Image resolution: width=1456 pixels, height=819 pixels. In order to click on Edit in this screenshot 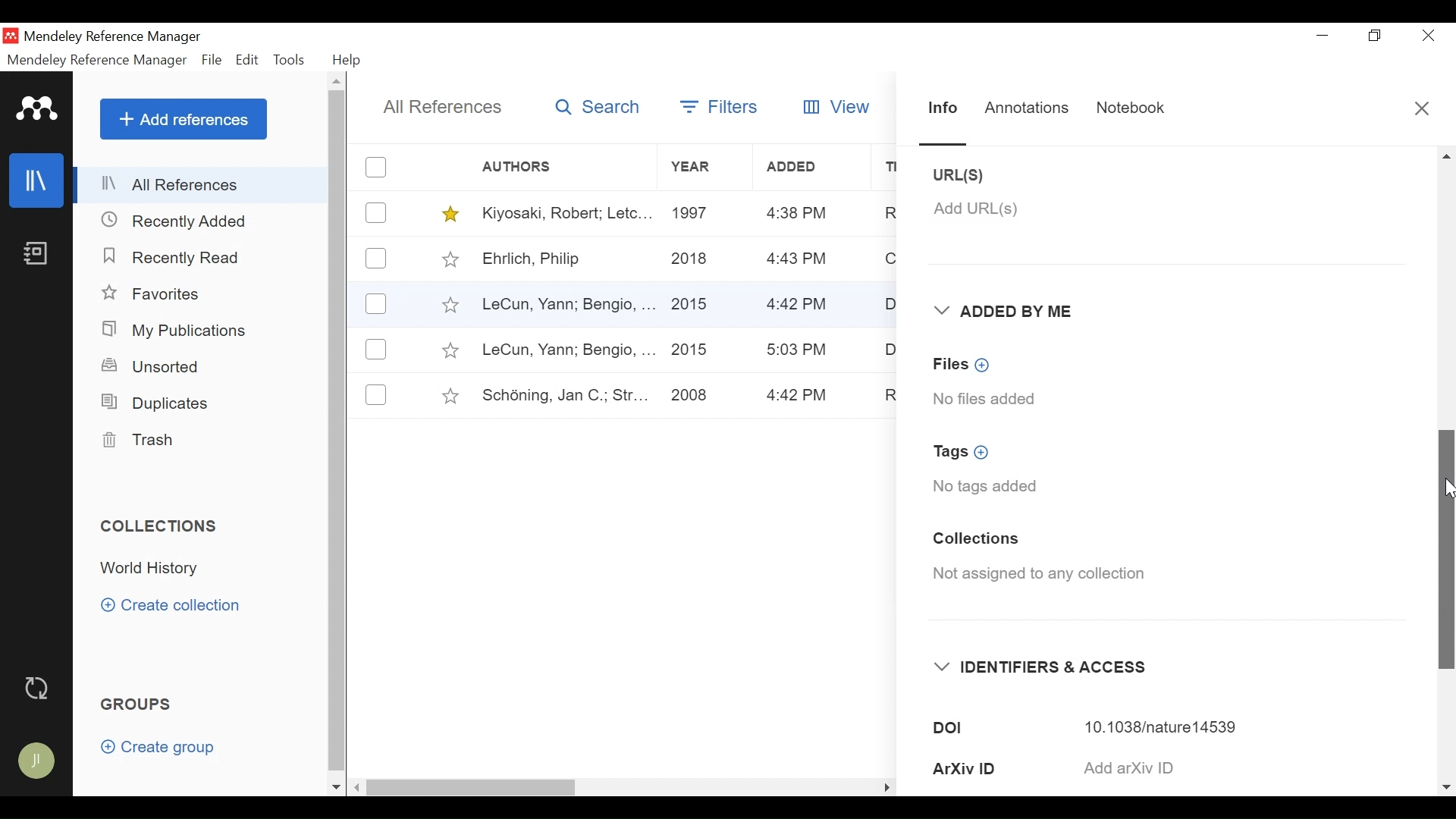, I will do `click(248, 60)`.